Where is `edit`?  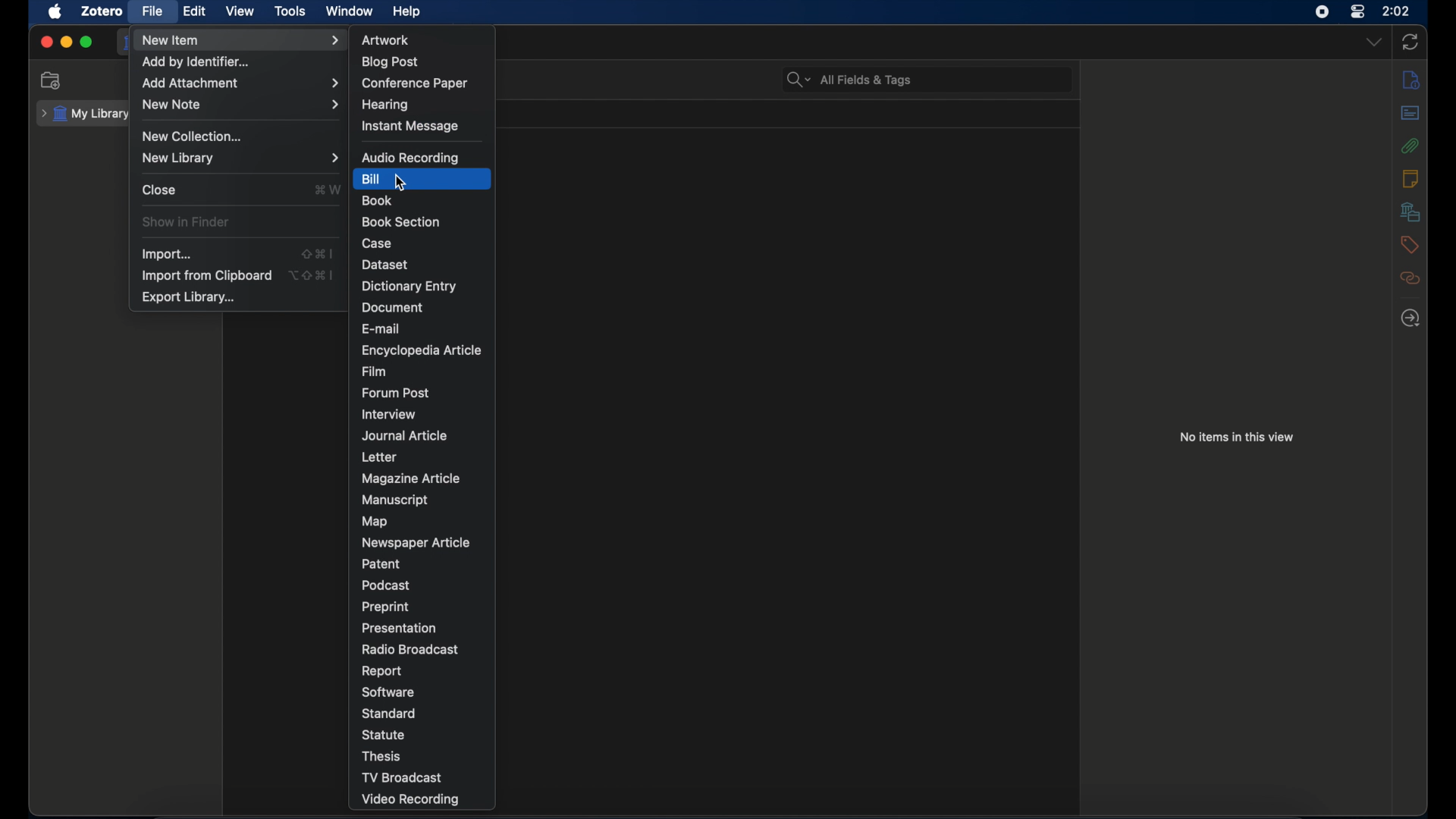
edit is located at coordinates (196, 11).